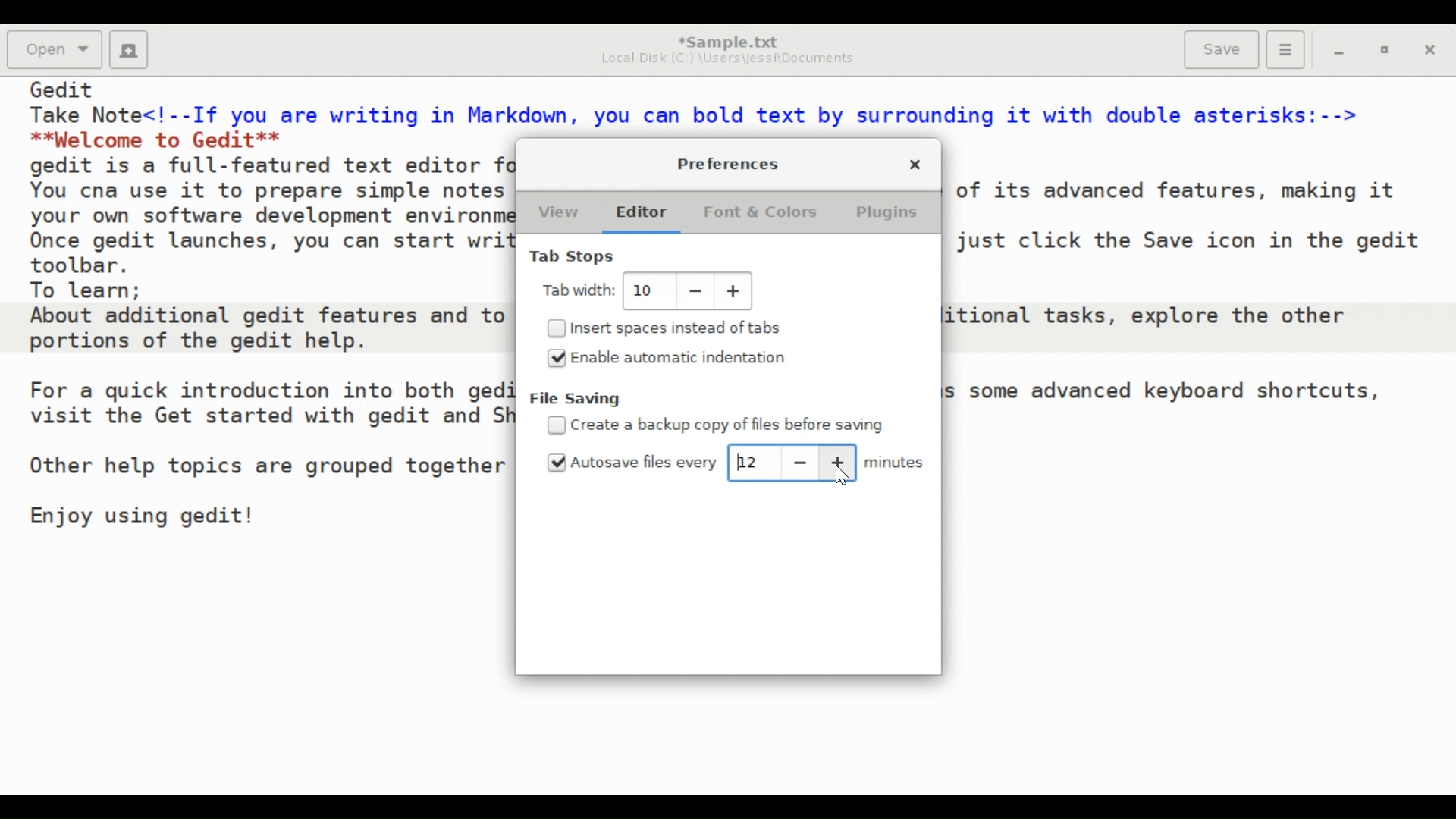 This screenshot has height=819, width=1456. I want to click on Local Disk (C2) \Users\jessi\Documents, so click(725, 58).